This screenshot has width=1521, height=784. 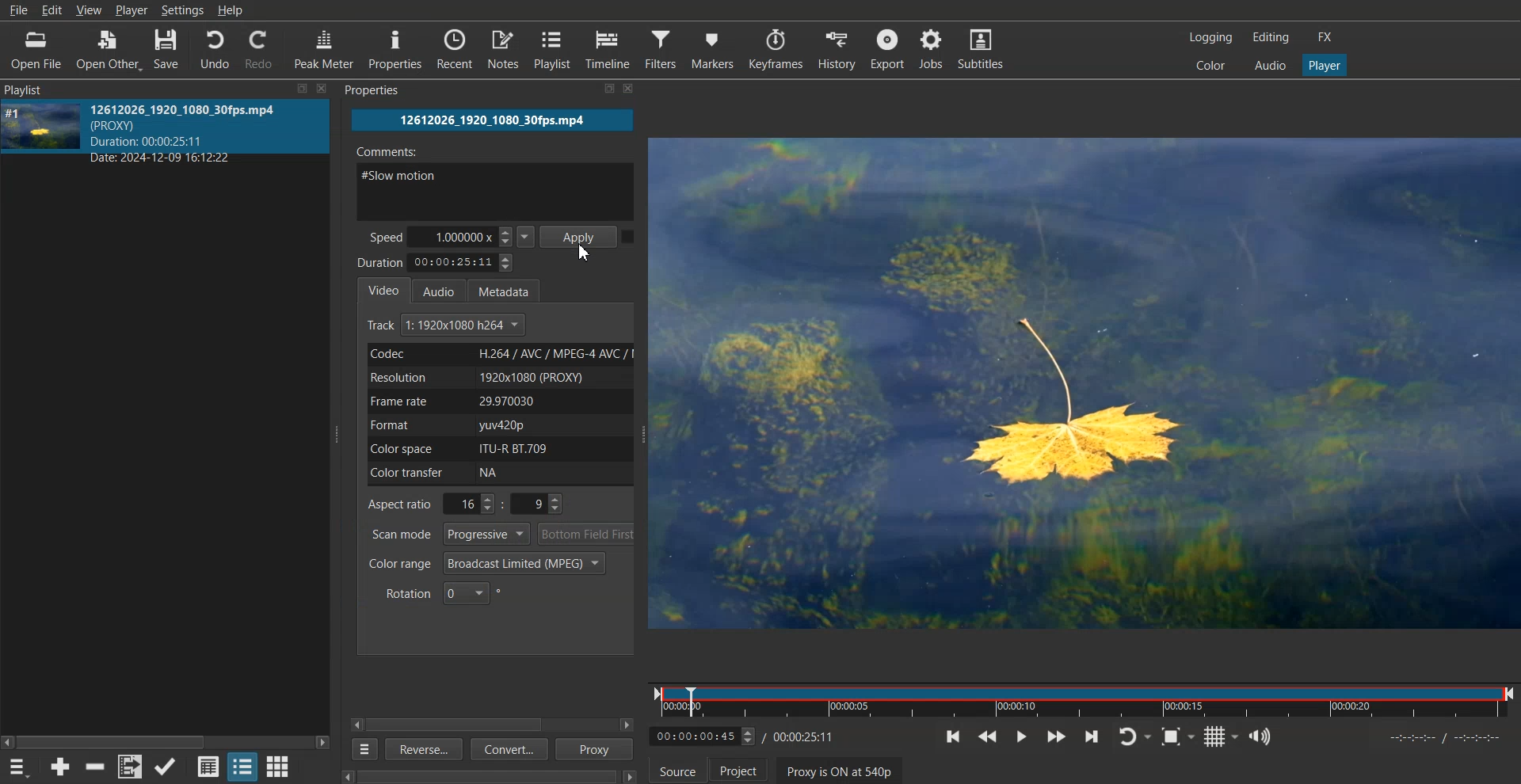 What do you see at coordinates (396, 50) in the screenshot?
I see `Properties` at bounding box center [396, 50].